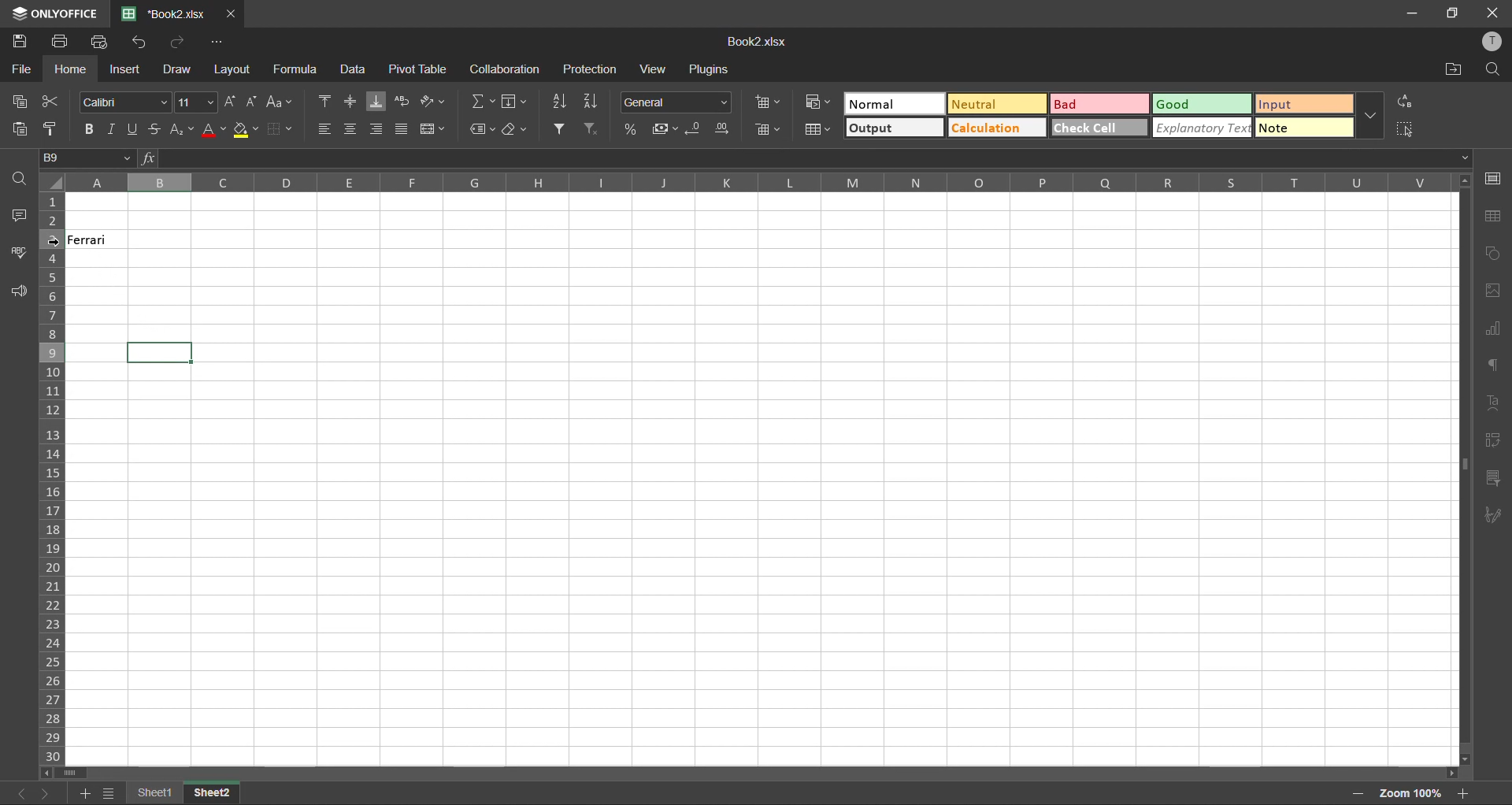 Image resolution: width=1512 pixels, height=805 pixels. I want to click on Ferrari, so click(98, 239).